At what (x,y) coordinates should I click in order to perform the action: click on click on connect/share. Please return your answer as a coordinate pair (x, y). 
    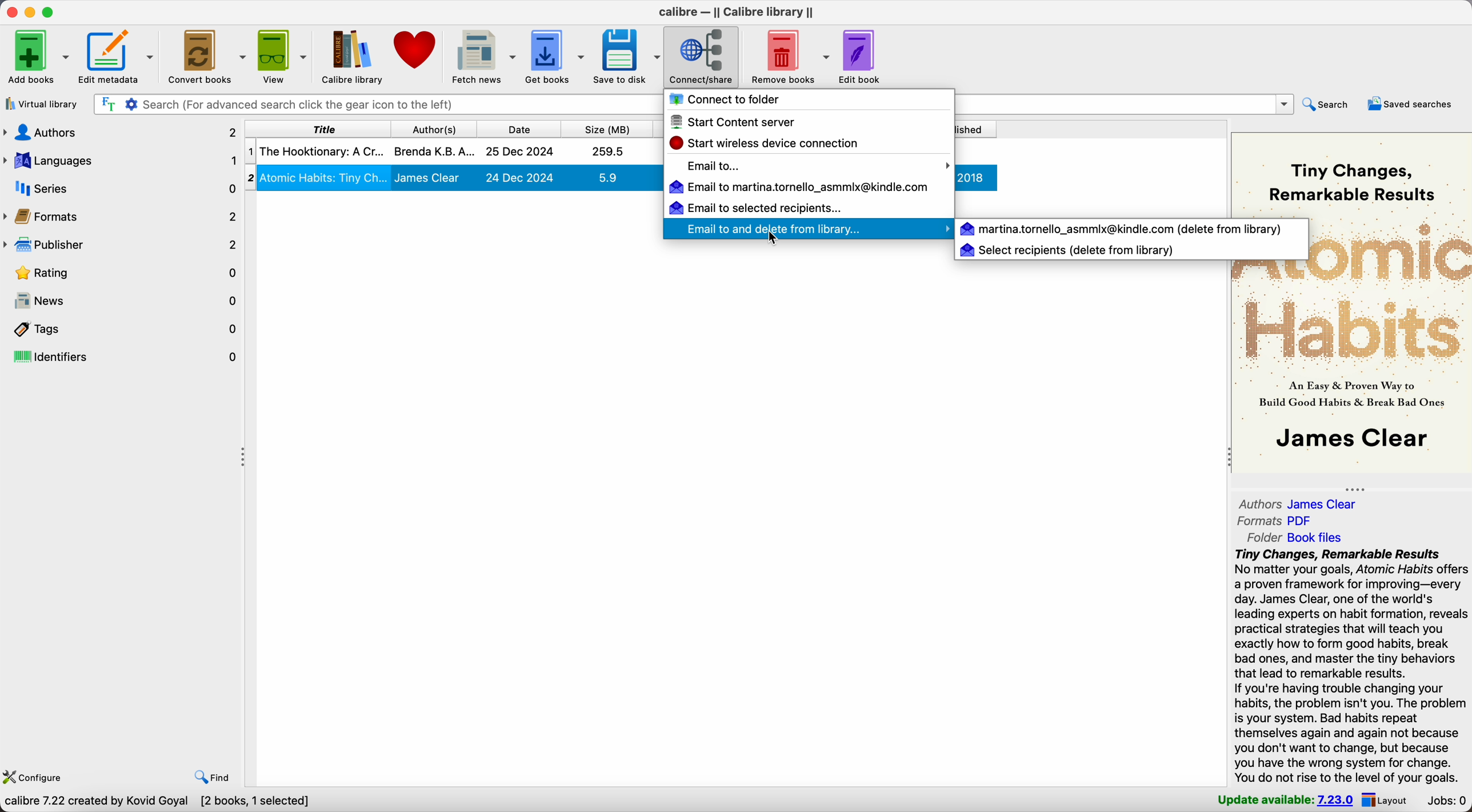
    Looking at the image, I should click on (703, 57).